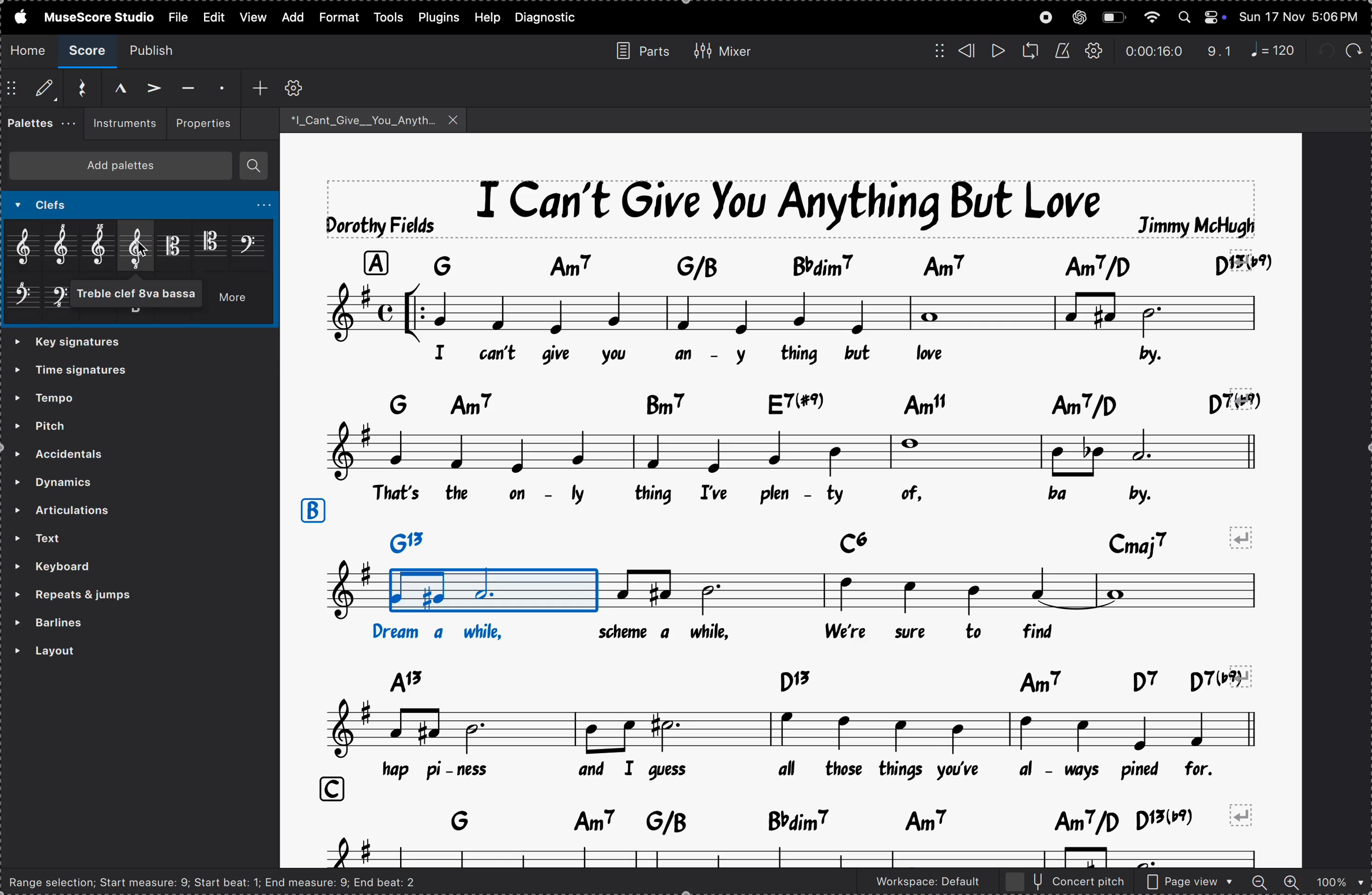 The width and height of the screenshot is (1372, 895). What do you see at coordinates (1220, 51) in the screenshot?
I see `redo` at bounding box center [1220, 51].